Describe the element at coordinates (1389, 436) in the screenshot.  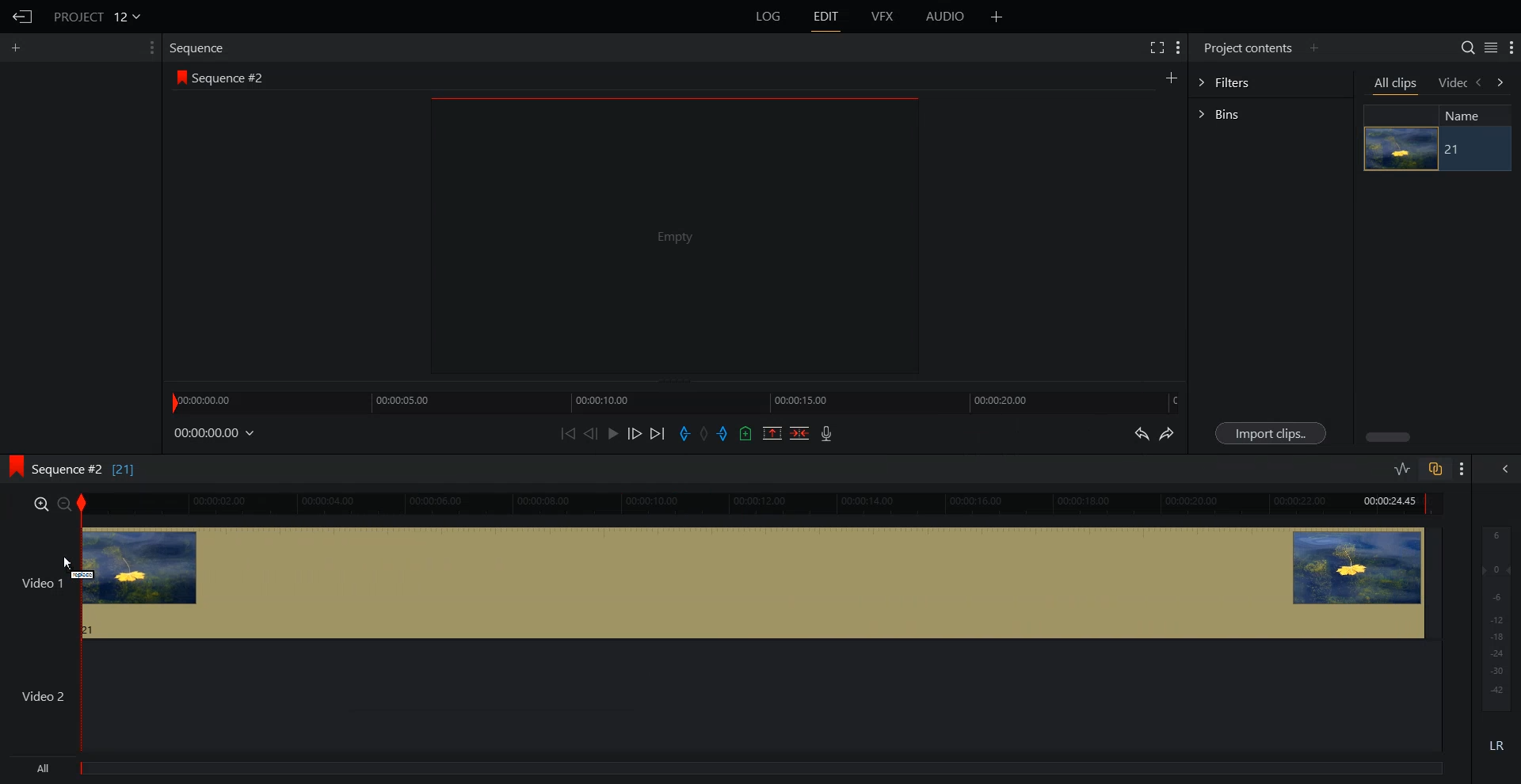
I see `scroll bar` at that location.